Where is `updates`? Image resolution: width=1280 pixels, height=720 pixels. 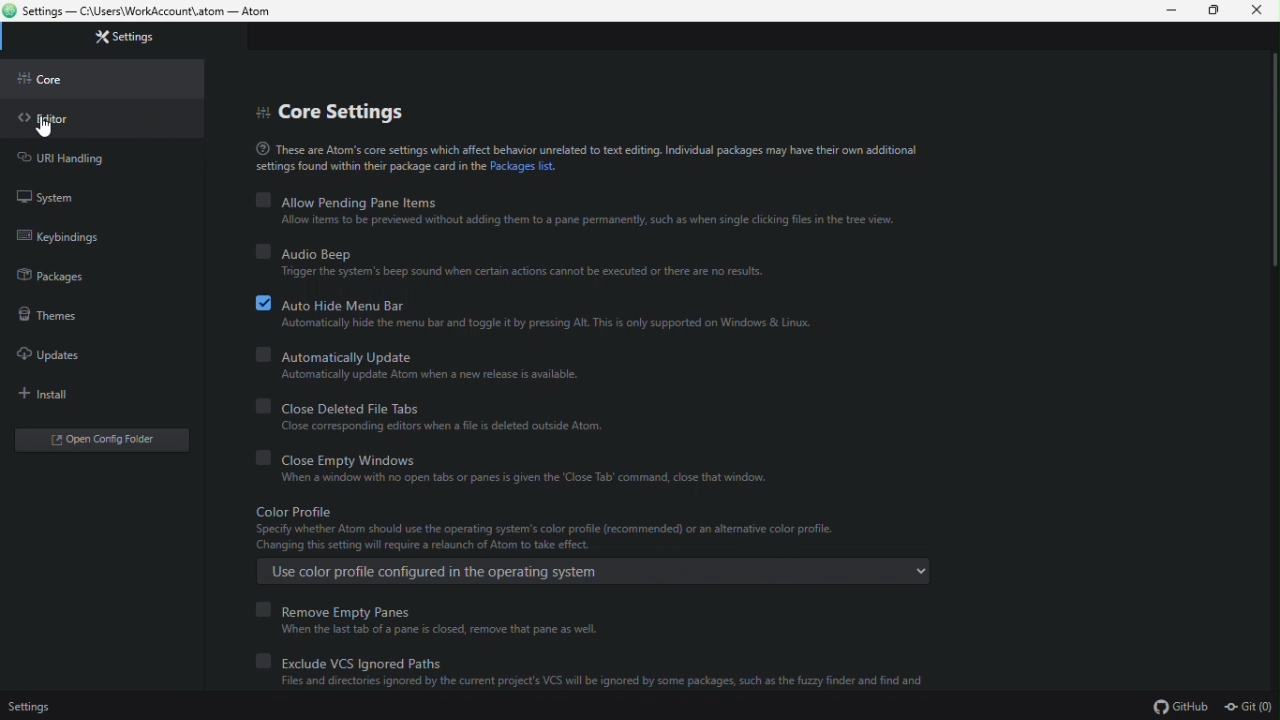
updates is located at coordinates (100, 354).